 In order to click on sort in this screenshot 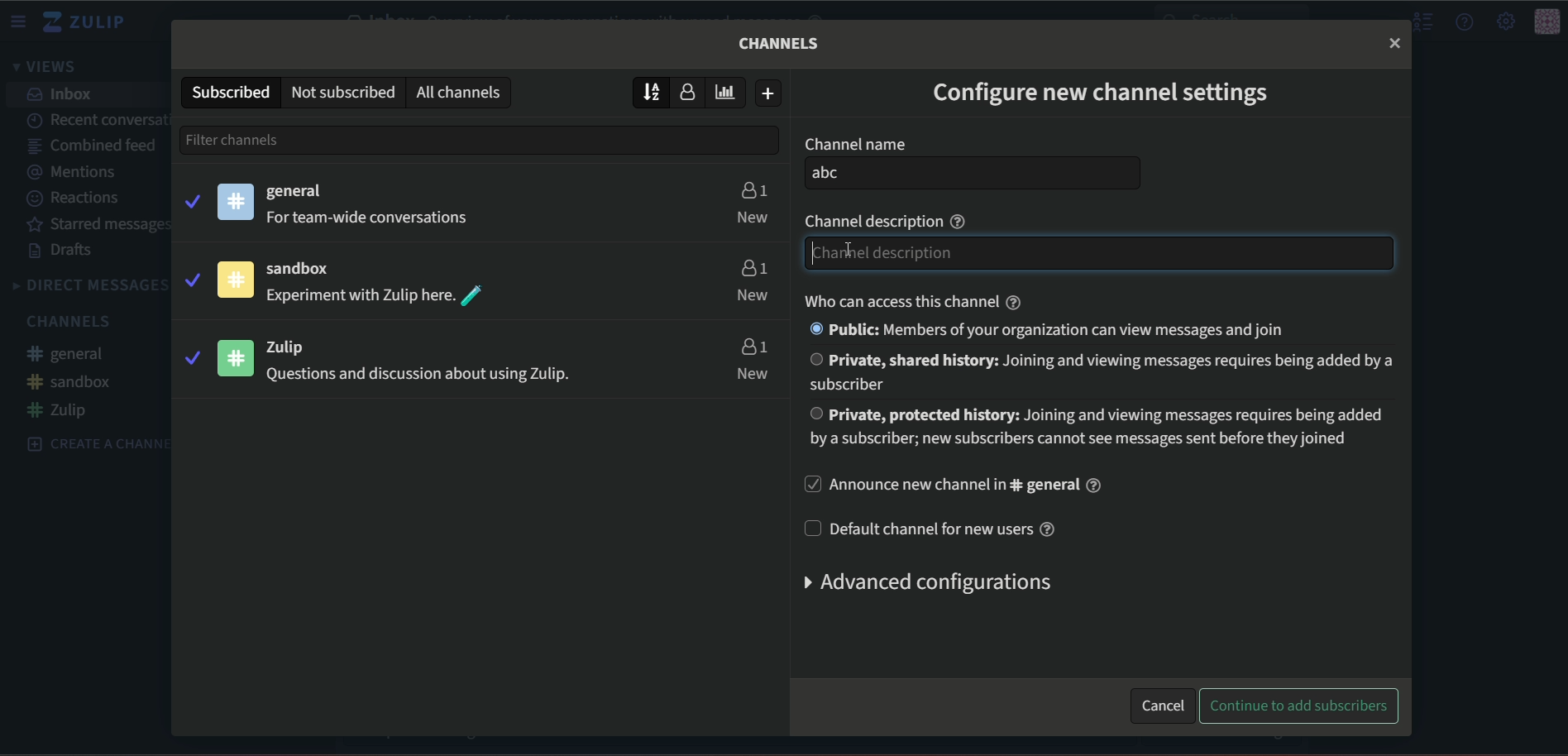, I will do `click(652, 91)`.